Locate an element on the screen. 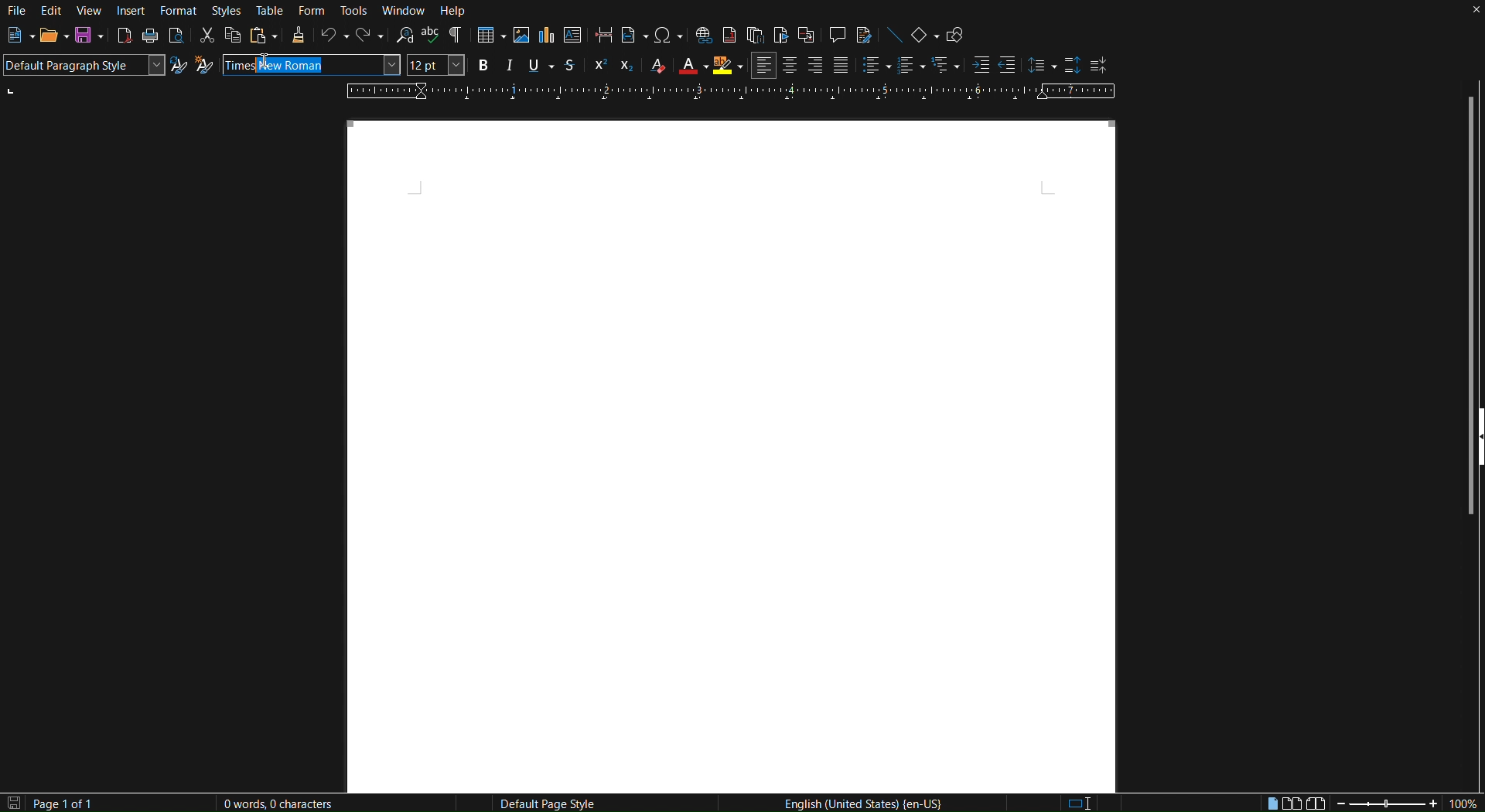 The width and height of the screenshot is (1485, 812). Clone Formatting is located at coordinates (297, 38).